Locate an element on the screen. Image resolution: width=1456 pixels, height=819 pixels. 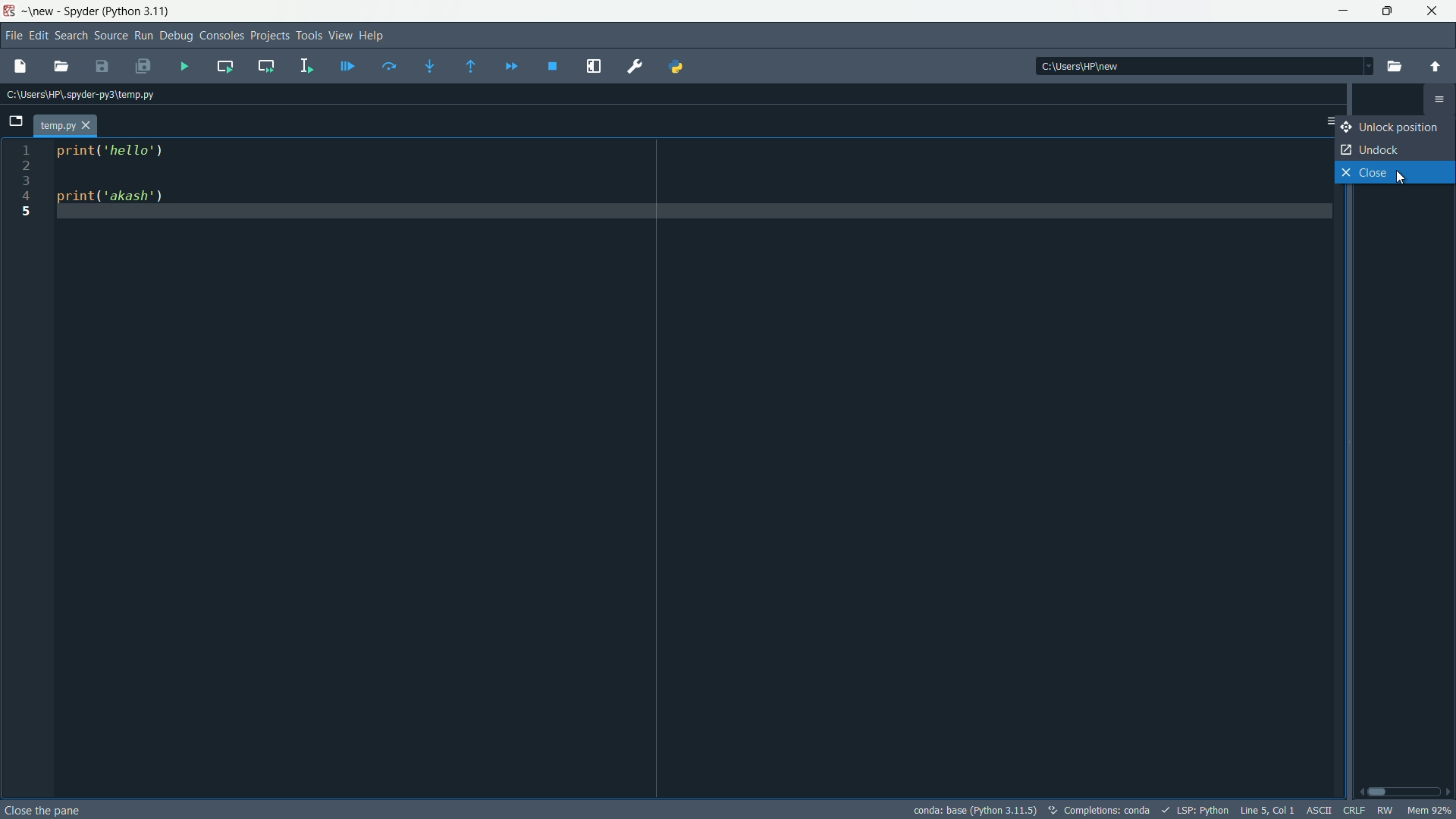
run current cell and go to the next one is located at coordinates (262, 65).